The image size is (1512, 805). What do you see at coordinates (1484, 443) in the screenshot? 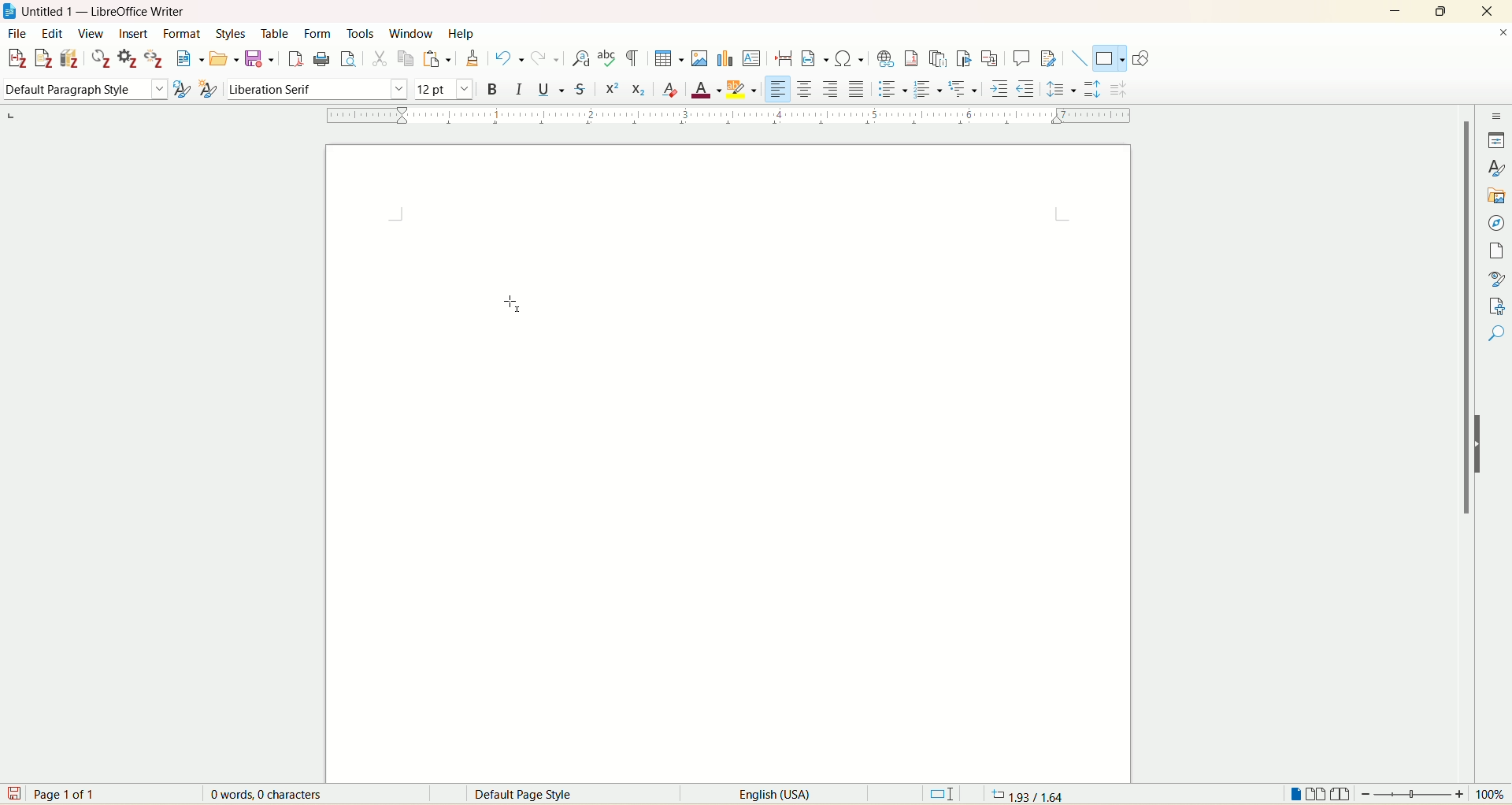
I see `hide` at bounding box center [1484, 443].